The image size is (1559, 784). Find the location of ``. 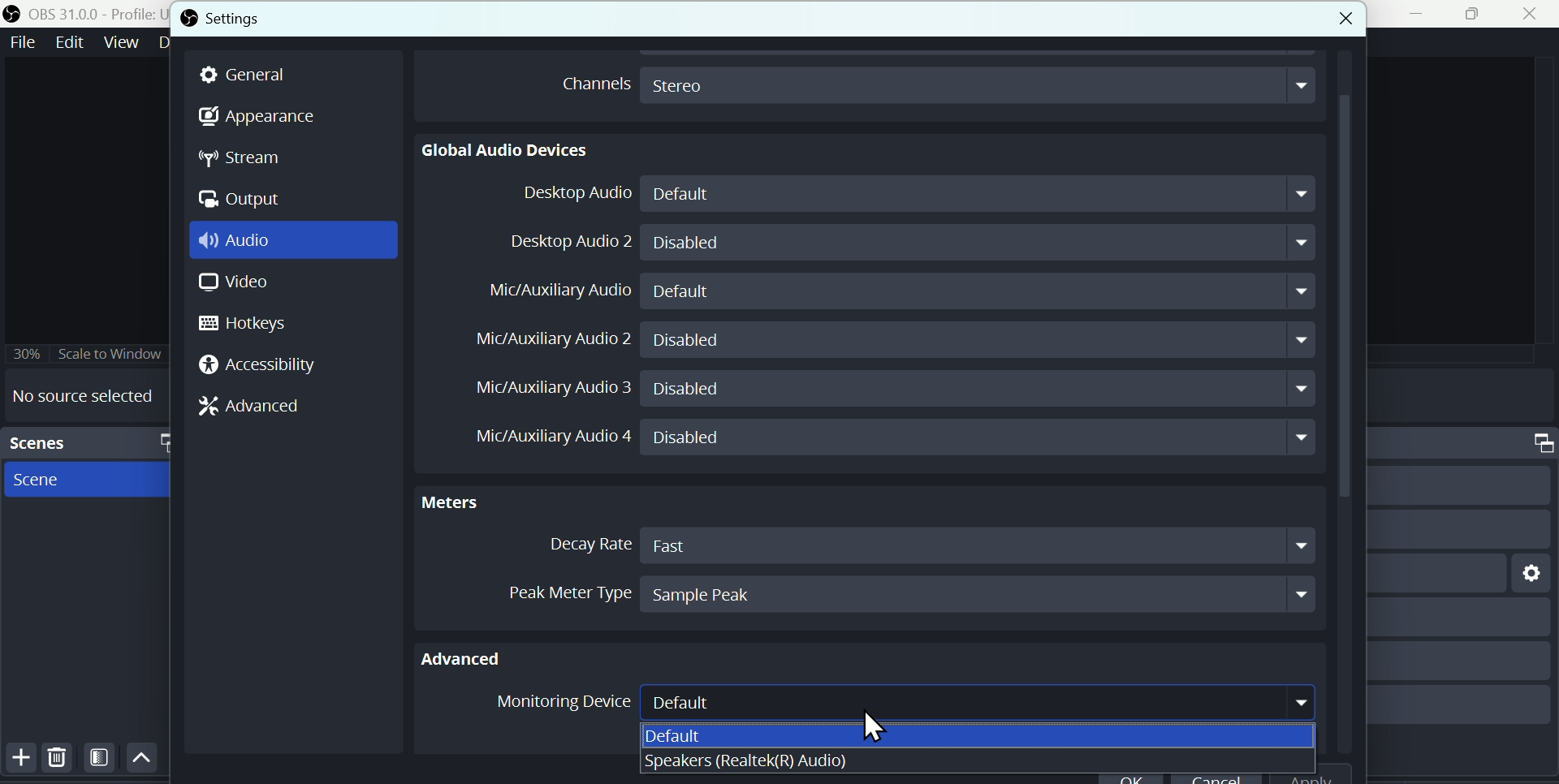

 is located at coordinates (18, 759).